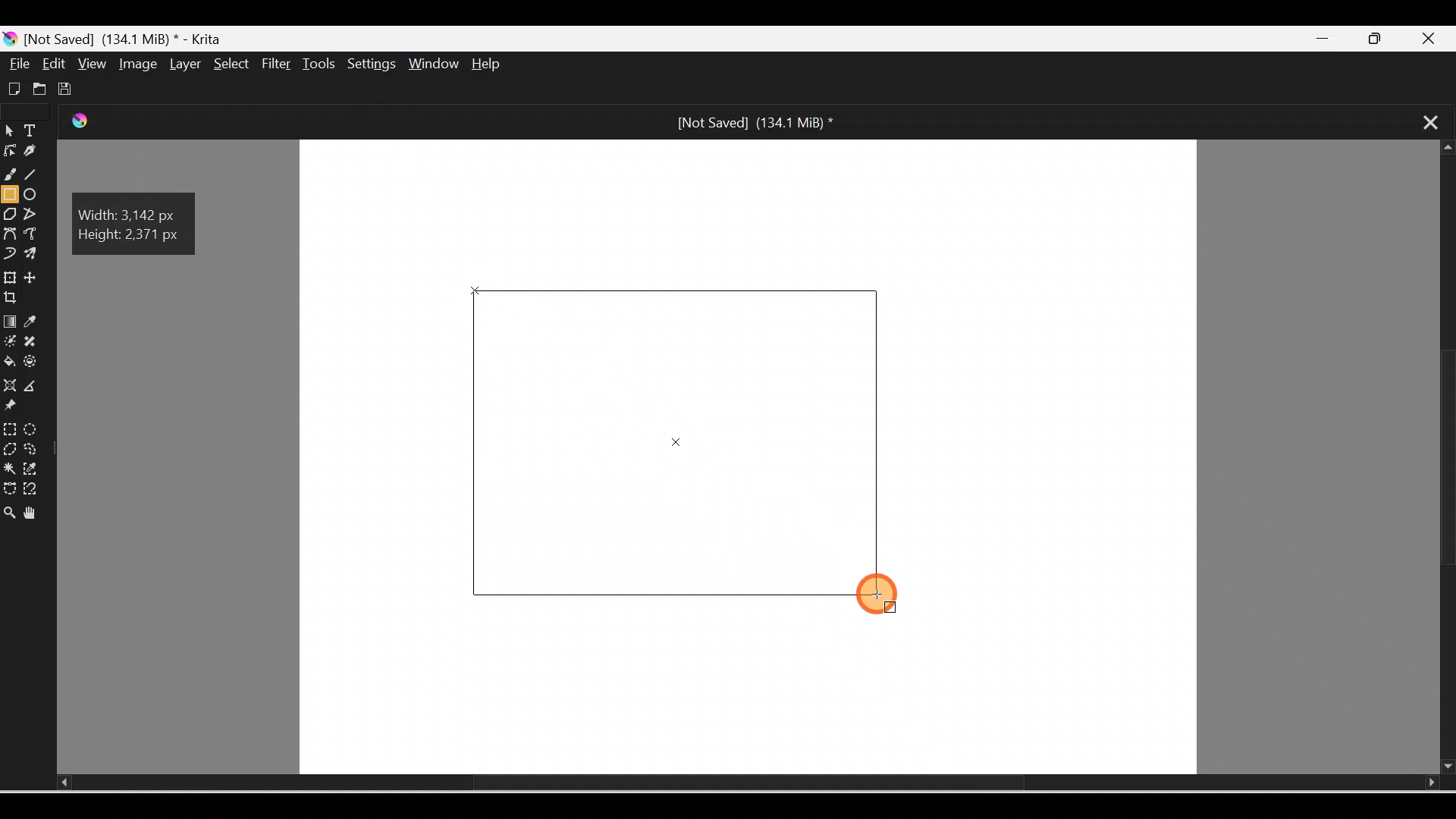 This screenshot has width=1456, height=819. I want to click on Crop an image, so click(17, 298).